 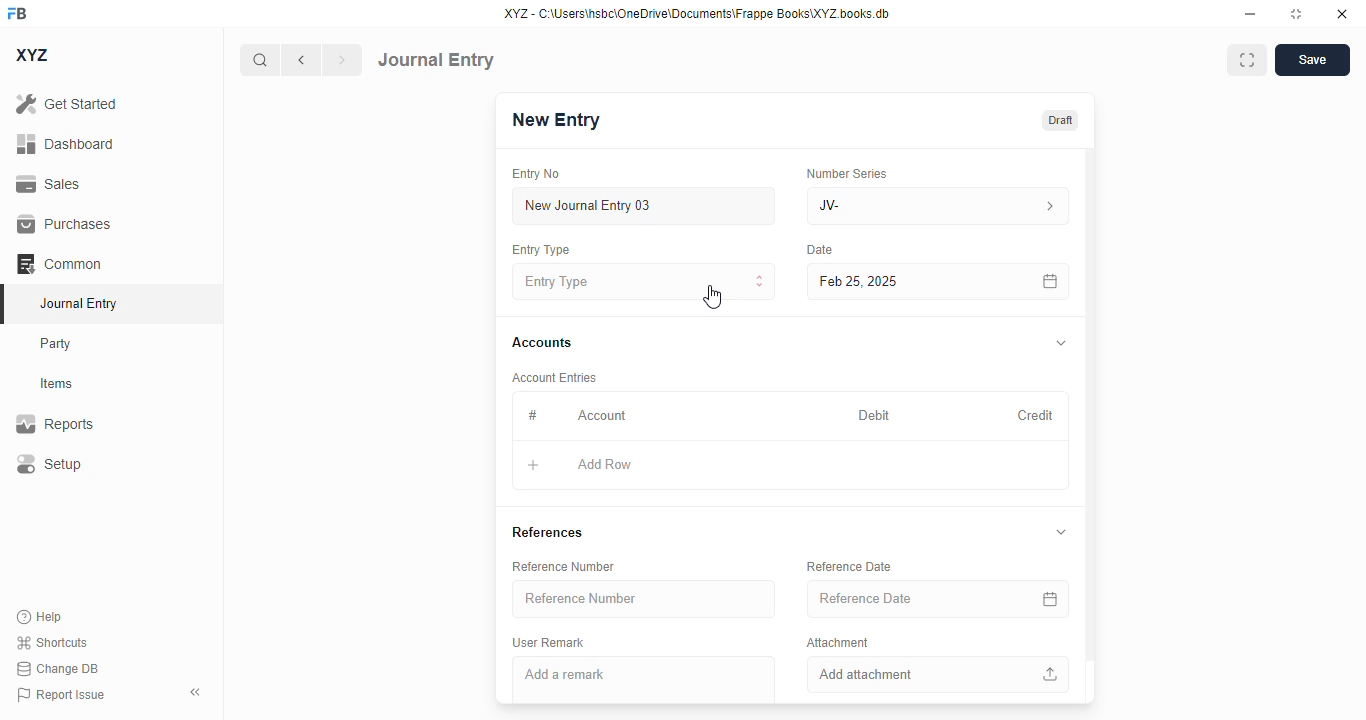 I want to click on reference number, so click(x=563, y=566).